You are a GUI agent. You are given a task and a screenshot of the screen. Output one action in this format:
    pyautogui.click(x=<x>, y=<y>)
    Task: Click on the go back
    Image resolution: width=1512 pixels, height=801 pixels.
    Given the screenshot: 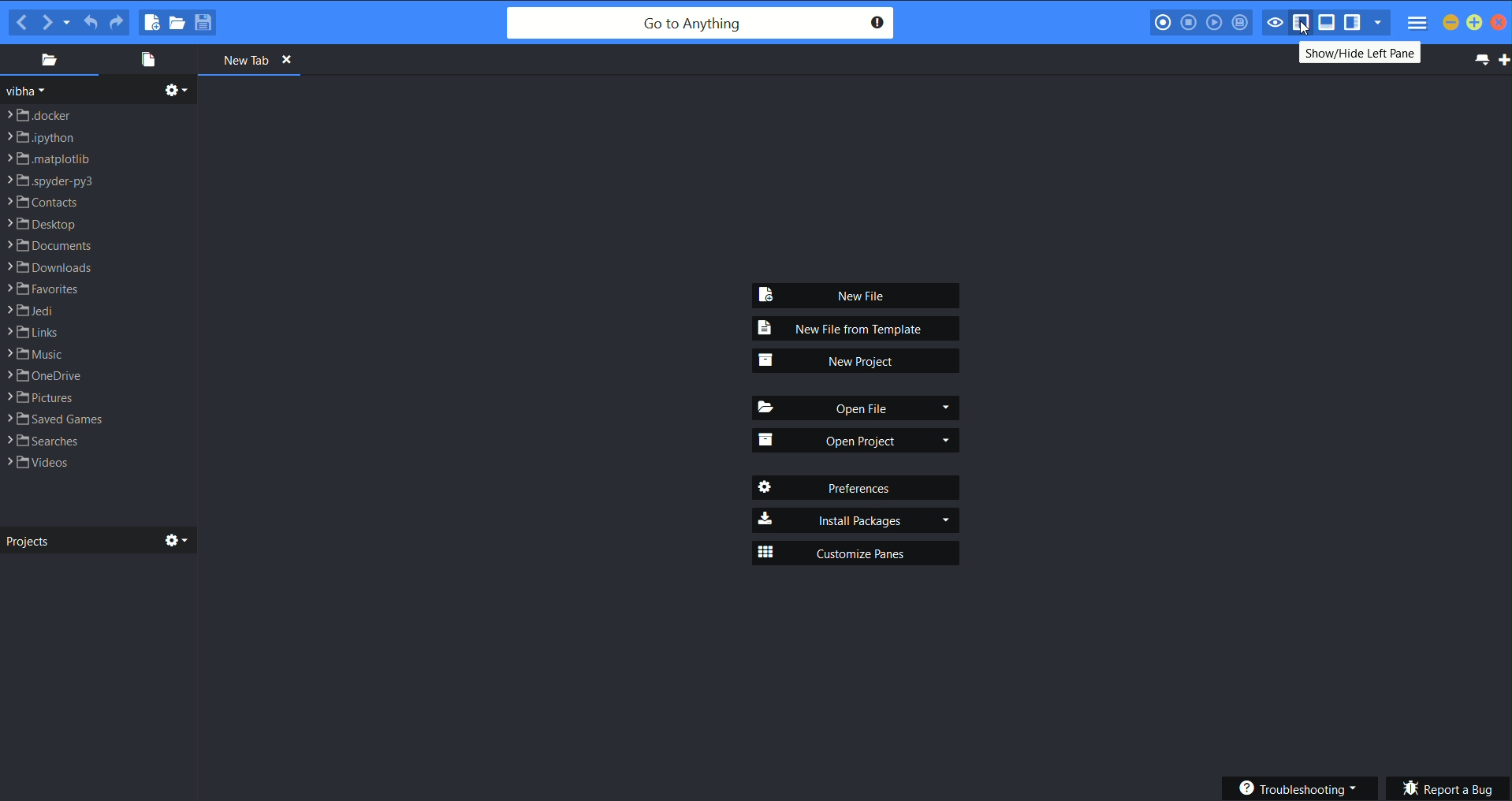 What is the action you would take?
    pyautogui.click(x=22, y=22)
    